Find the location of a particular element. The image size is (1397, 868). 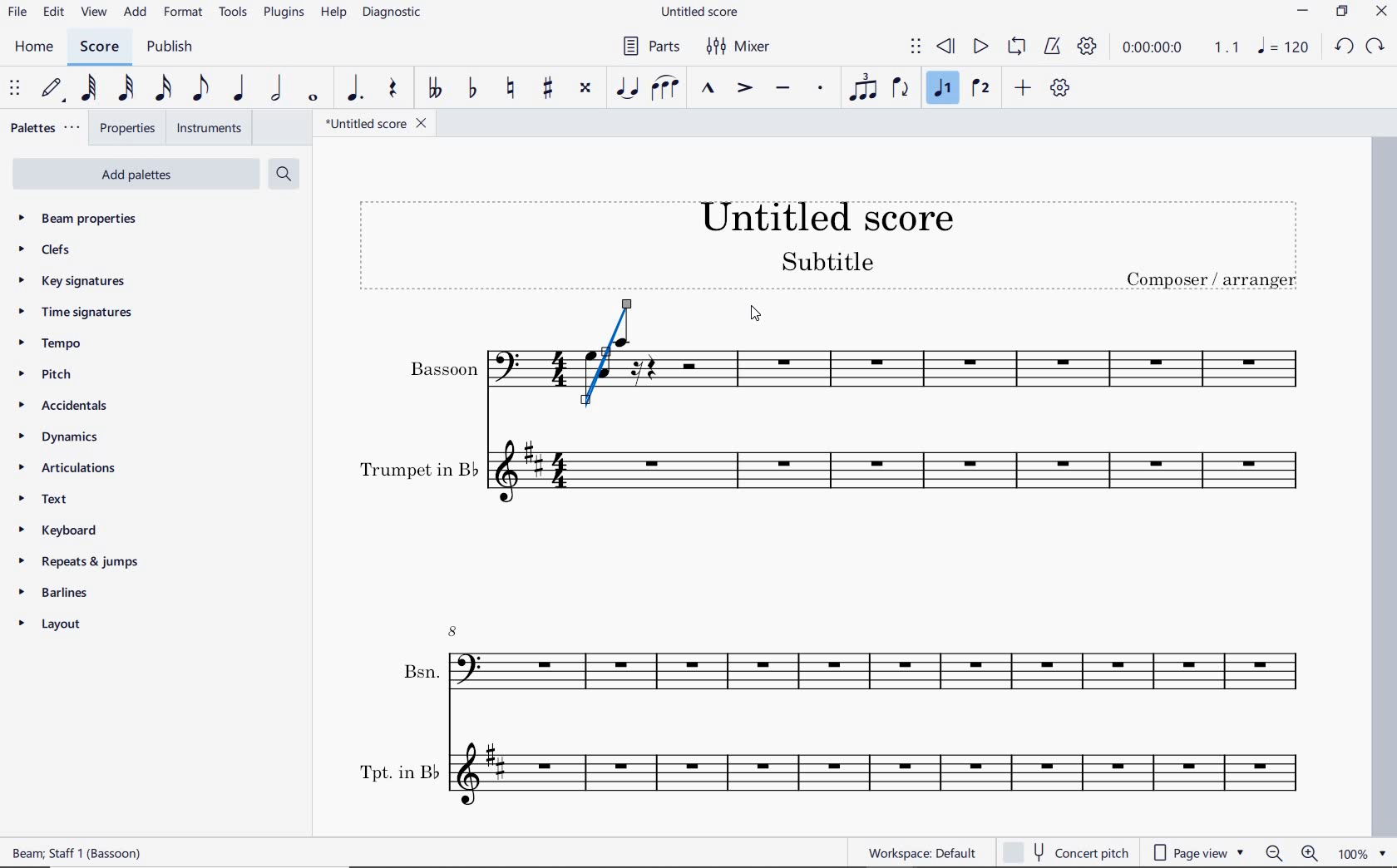

file is located at coordinates (17, 13).